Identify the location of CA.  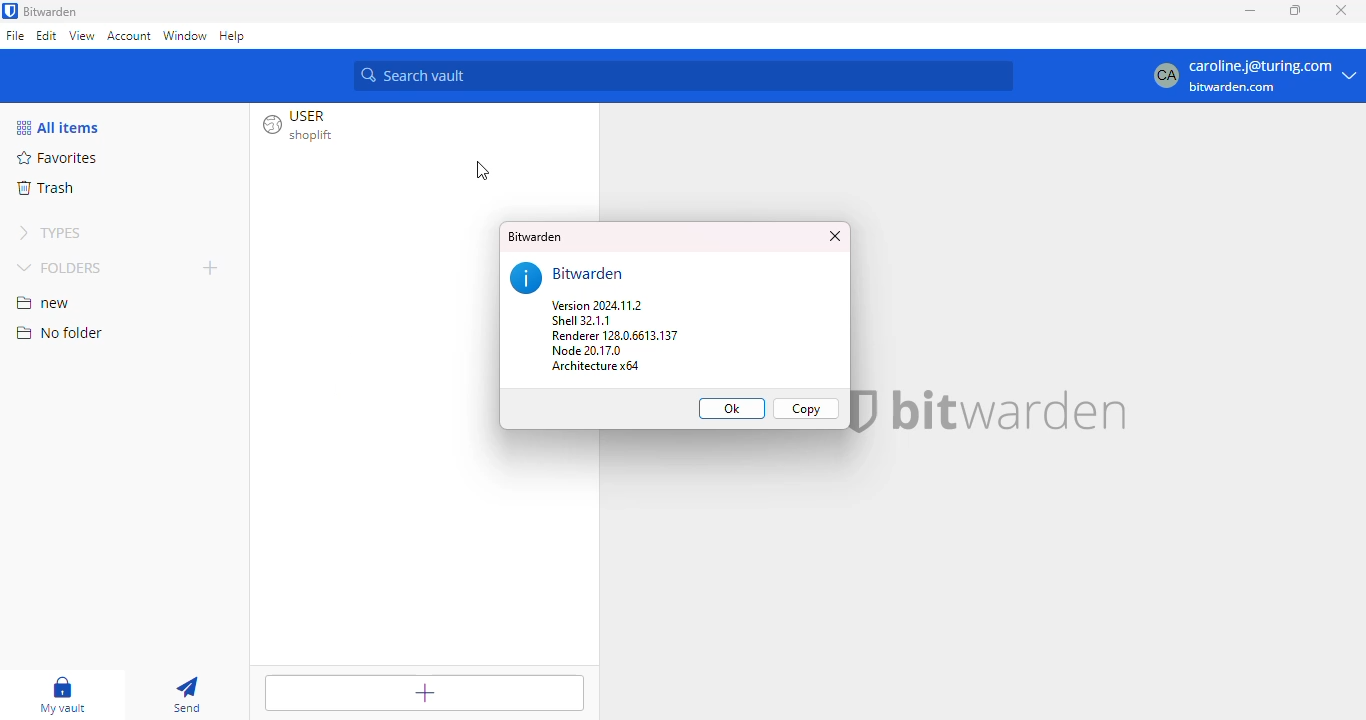
(1162, 76).